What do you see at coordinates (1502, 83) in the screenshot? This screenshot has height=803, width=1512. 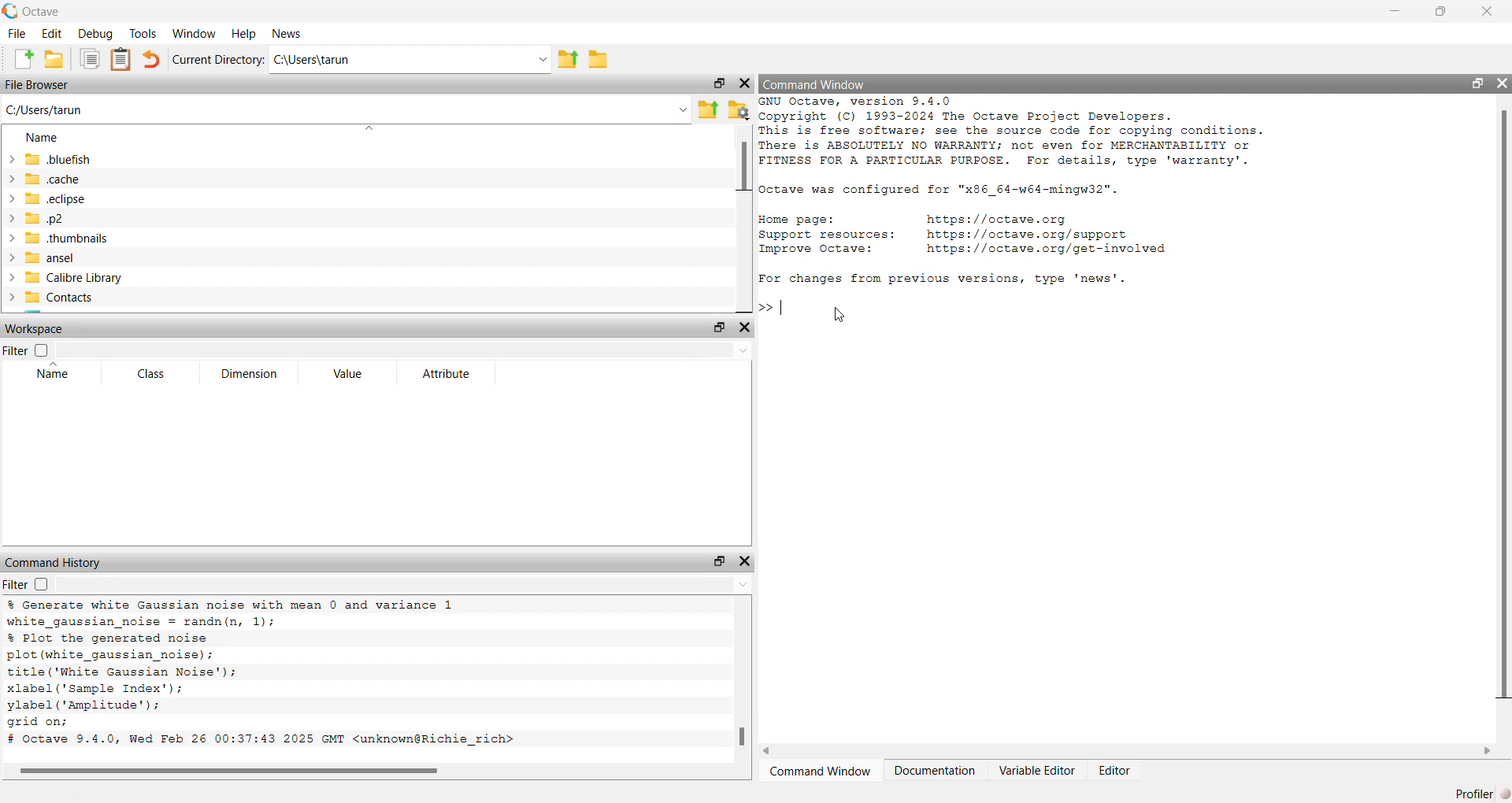 I see `close` at bounding box center [1502, 83].